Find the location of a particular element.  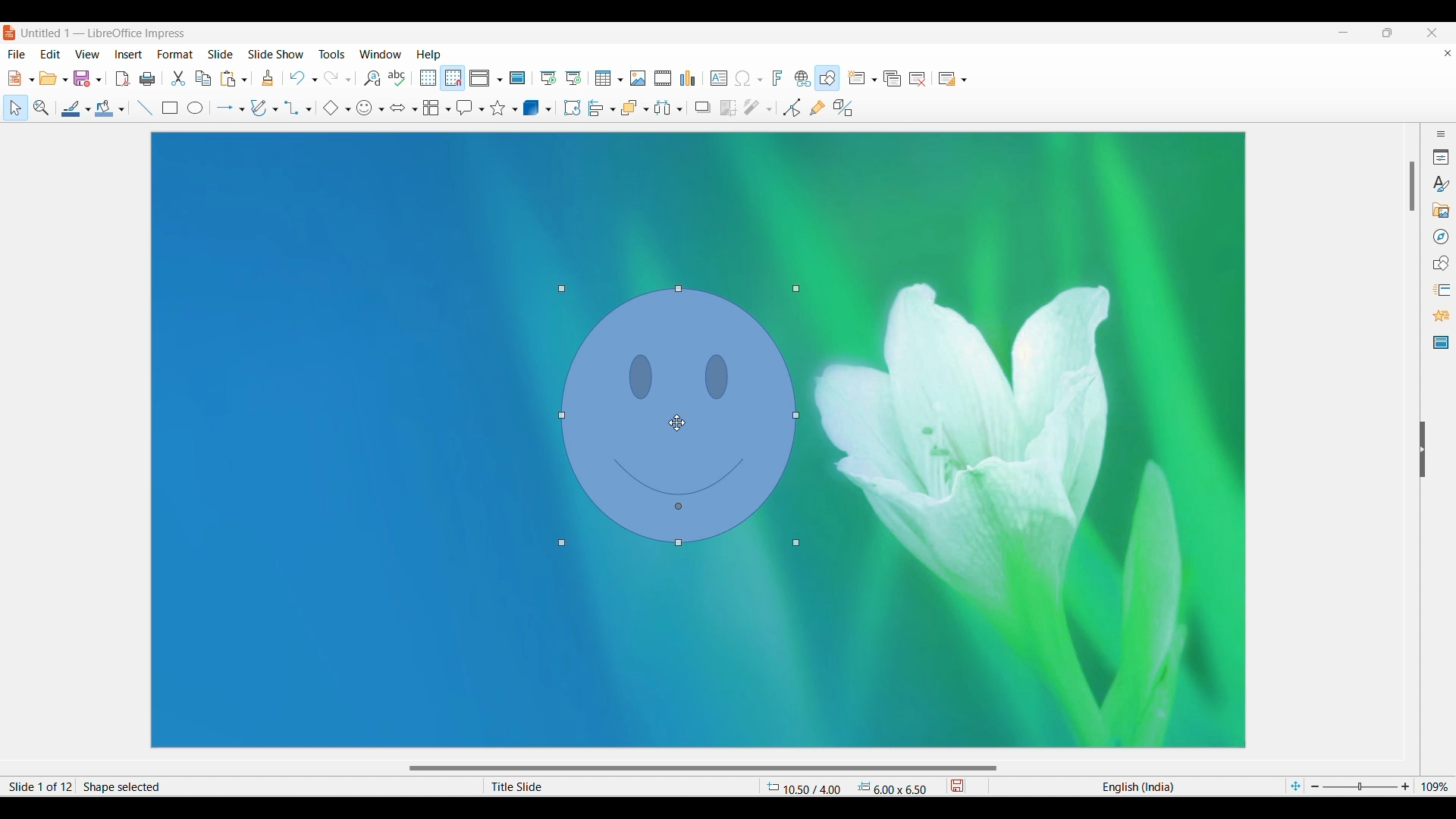

Selected flowchart is located at coordinates (431, 108).